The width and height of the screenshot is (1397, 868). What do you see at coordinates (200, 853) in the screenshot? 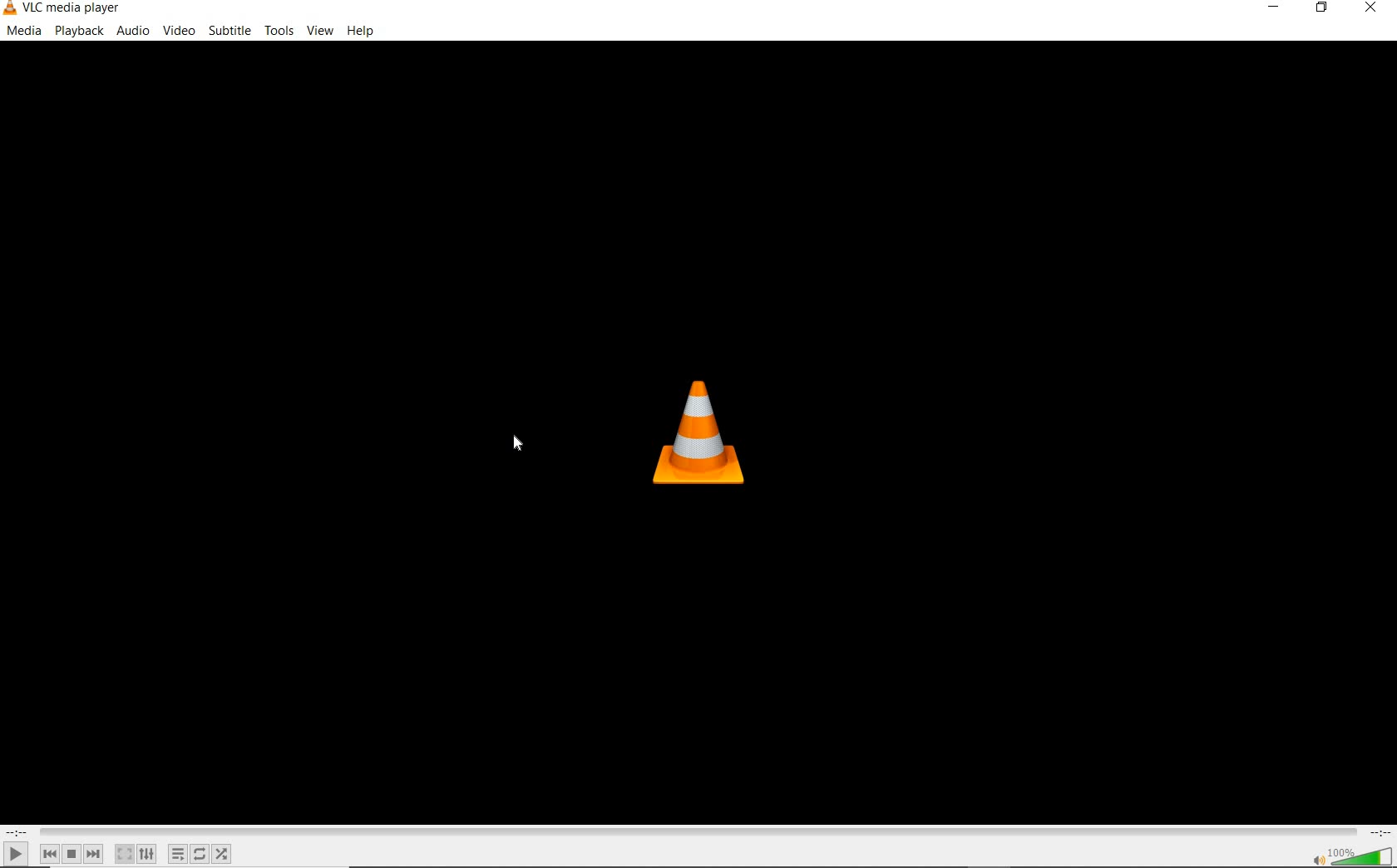
I see `click to toggle between loop all` at bounding box center [200, 853].